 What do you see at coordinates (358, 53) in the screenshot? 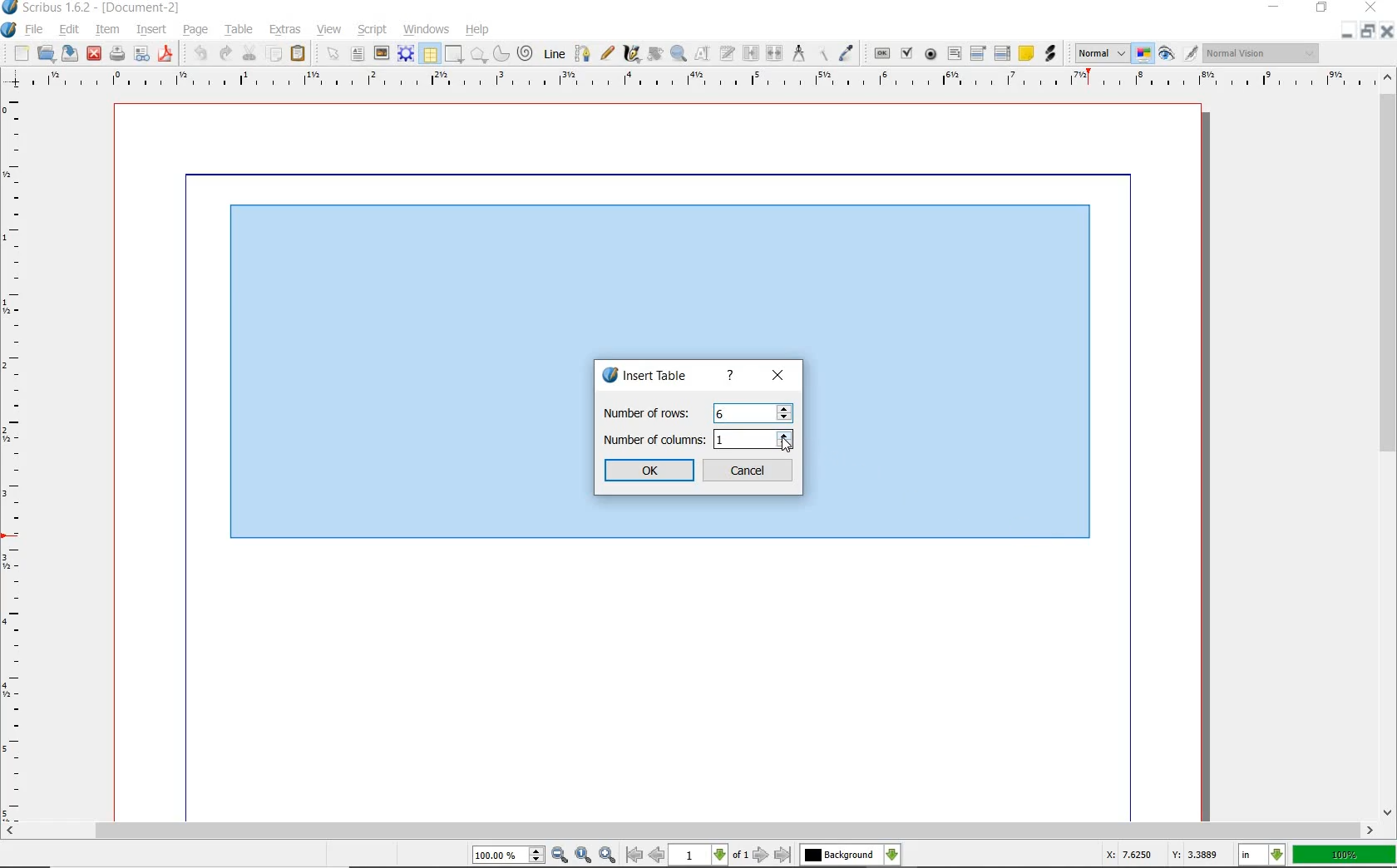
I see `text frame` at bounding box center [358, 53].